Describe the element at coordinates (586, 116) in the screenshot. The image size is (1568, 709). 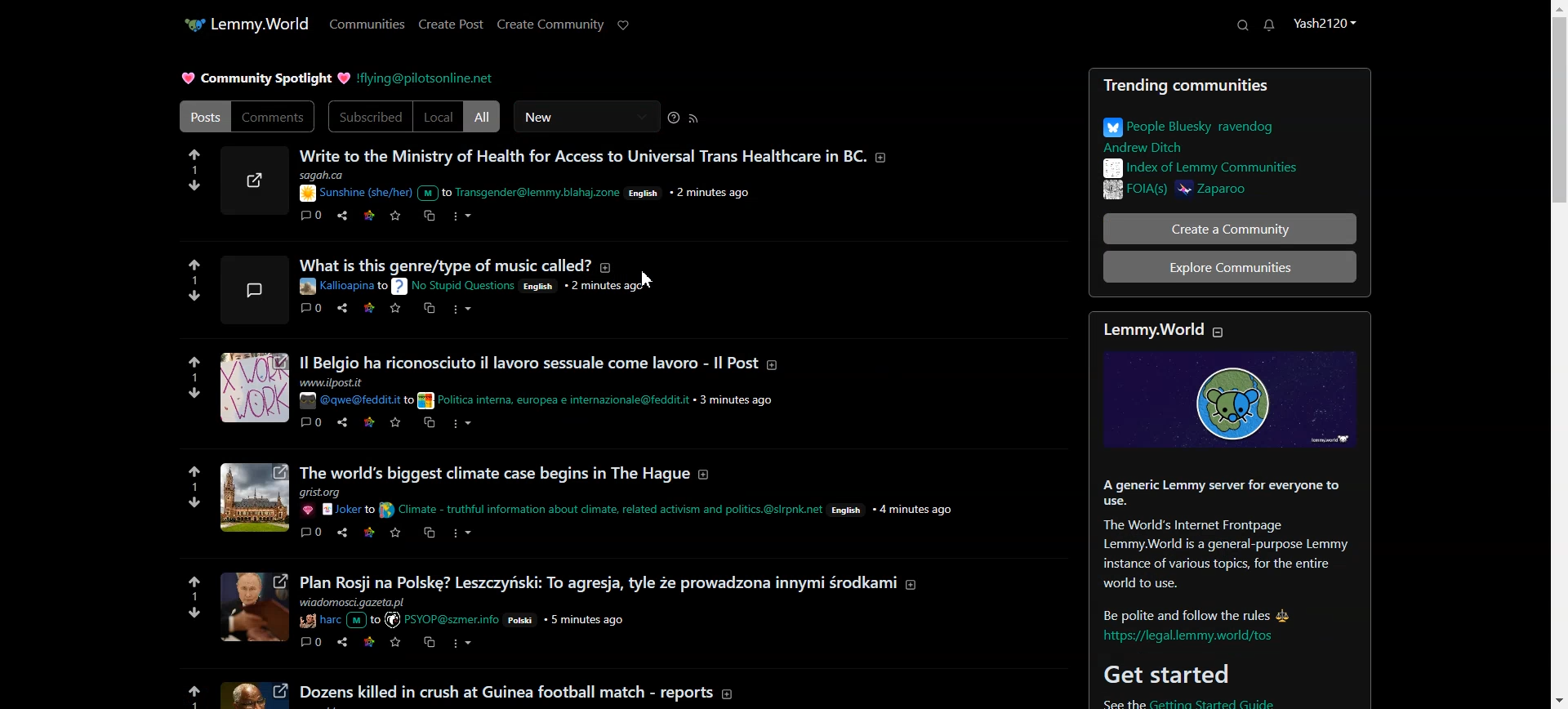
I see `New` at that location.